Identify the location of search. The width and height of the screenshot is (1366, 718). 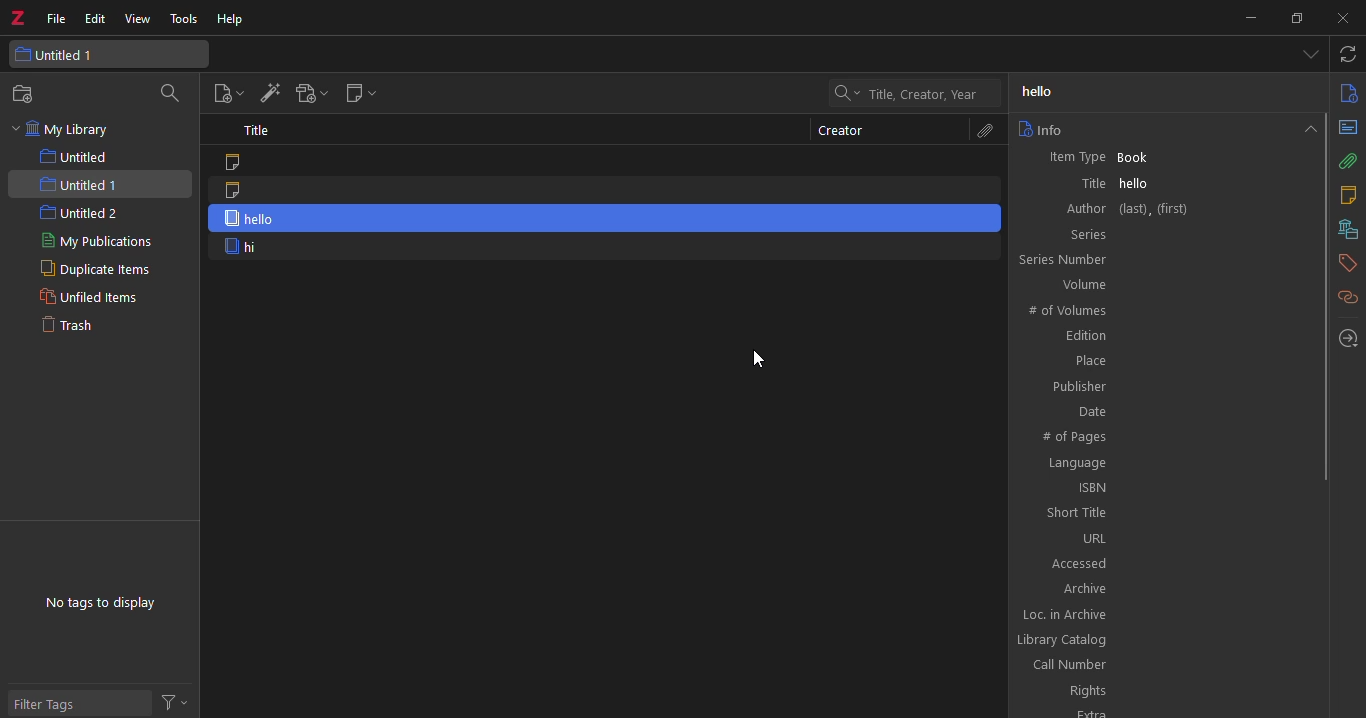
(174, 93).